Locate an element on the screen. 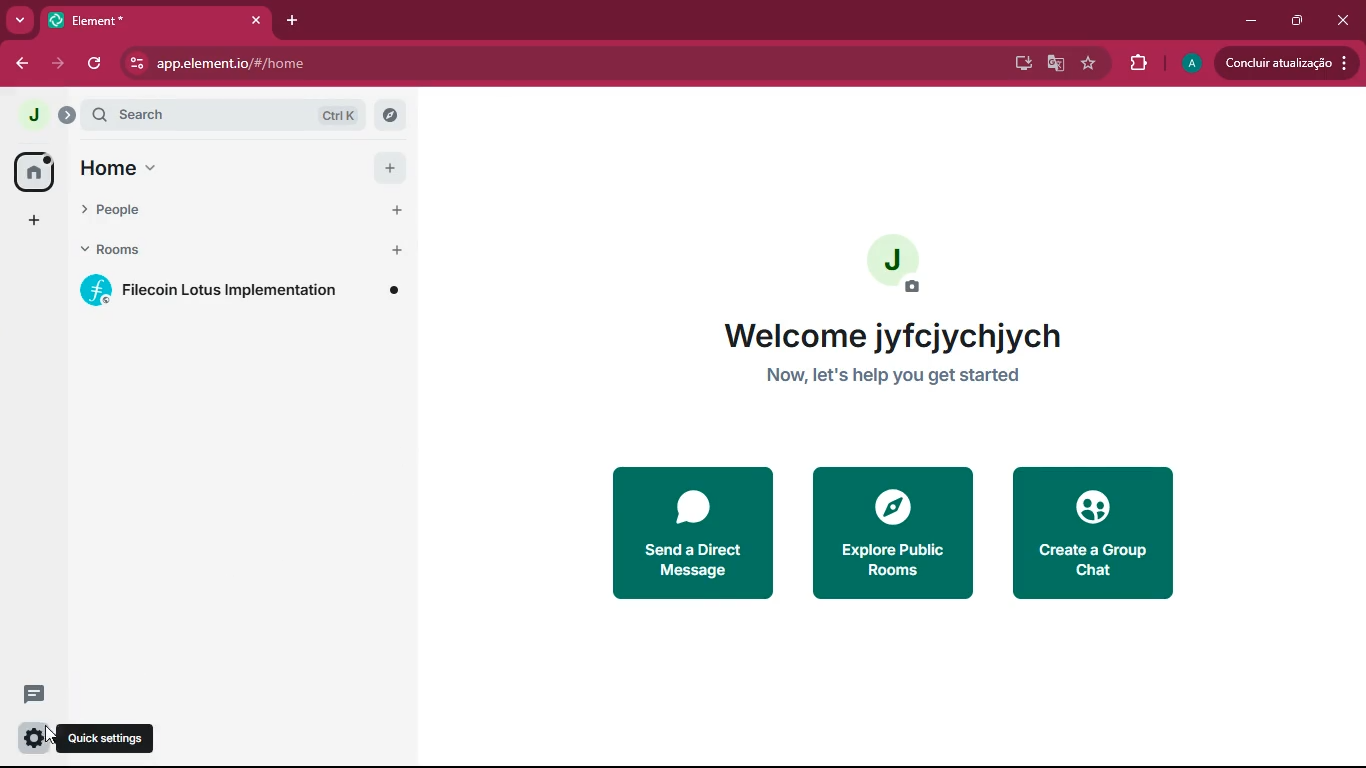 The width and height of the screenshot is (1366, 768). filecoin lotus implementation is located at coordinates (242, 289).